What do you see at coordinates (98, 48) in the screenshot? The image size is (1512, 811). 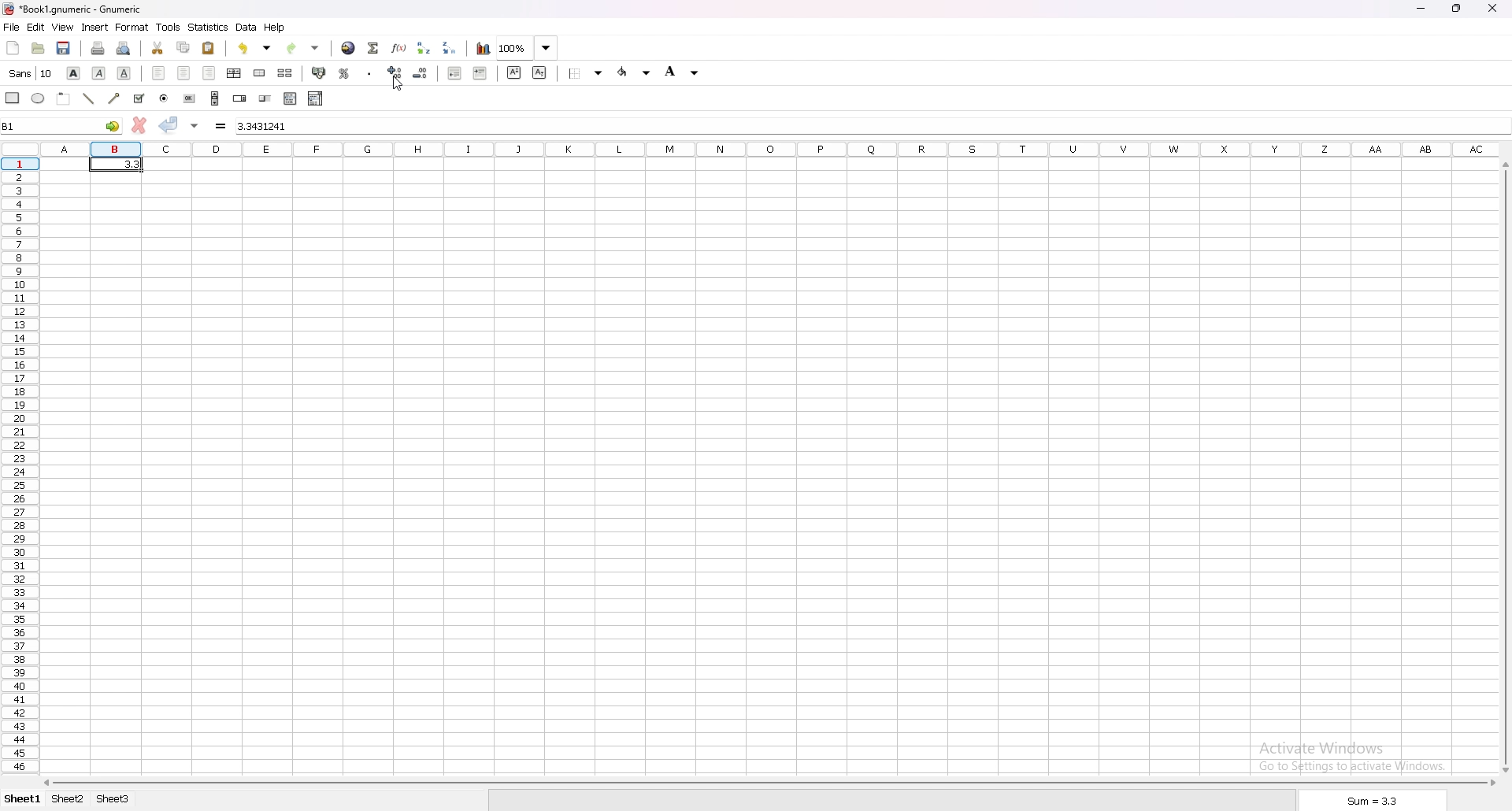 I see `print` at bounding box center [98, 48].